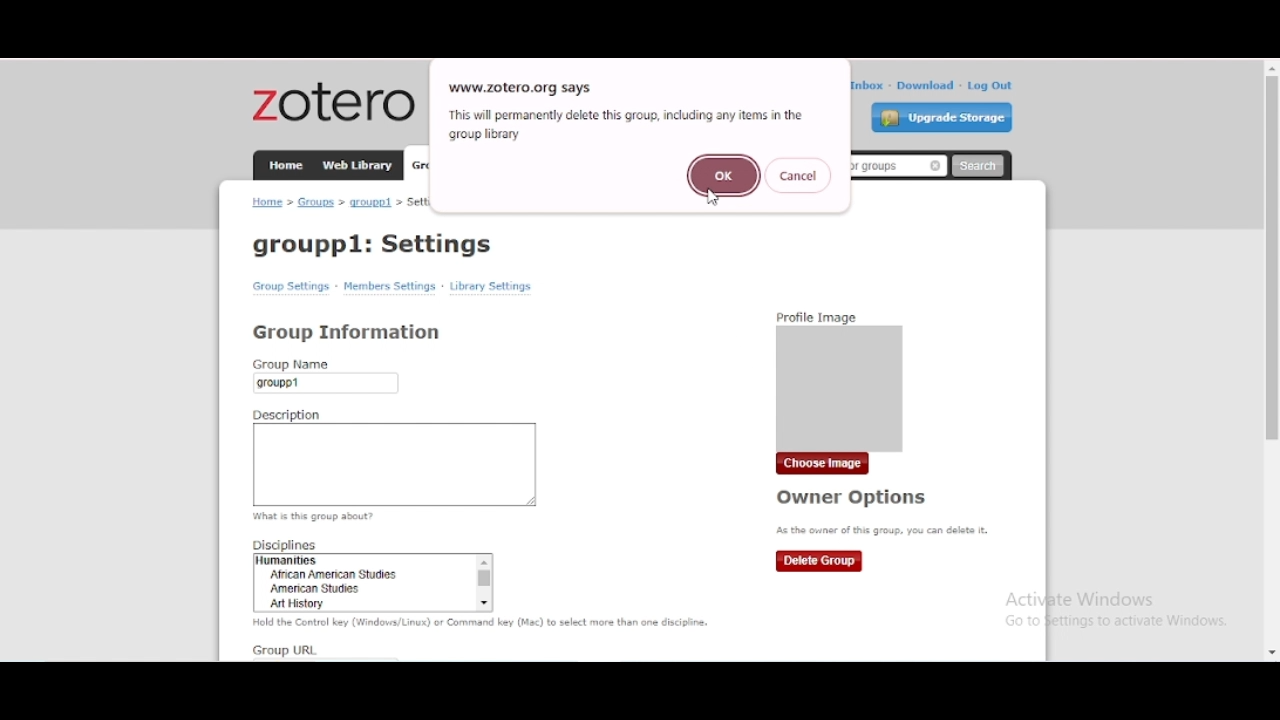 This screenshot has height=720, width=1280. Describe the element at coordinates (626, 111) in the screenshot. I see `www.zotero.org says "this will permanently delete this group, including any items in the group library."` at that location.